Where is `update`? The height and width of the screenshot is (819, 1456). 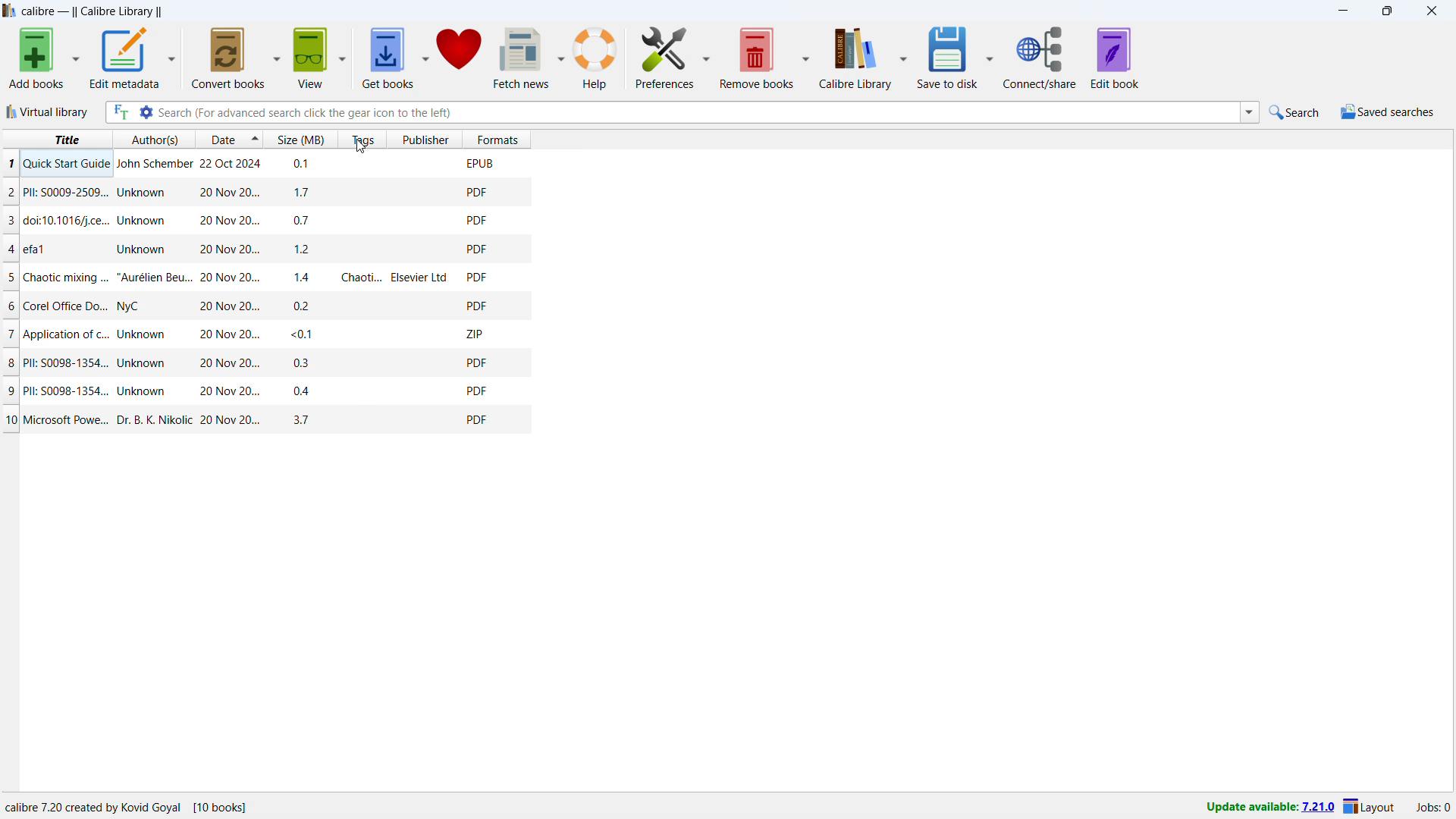
update is located at coordinates (1269, 808).